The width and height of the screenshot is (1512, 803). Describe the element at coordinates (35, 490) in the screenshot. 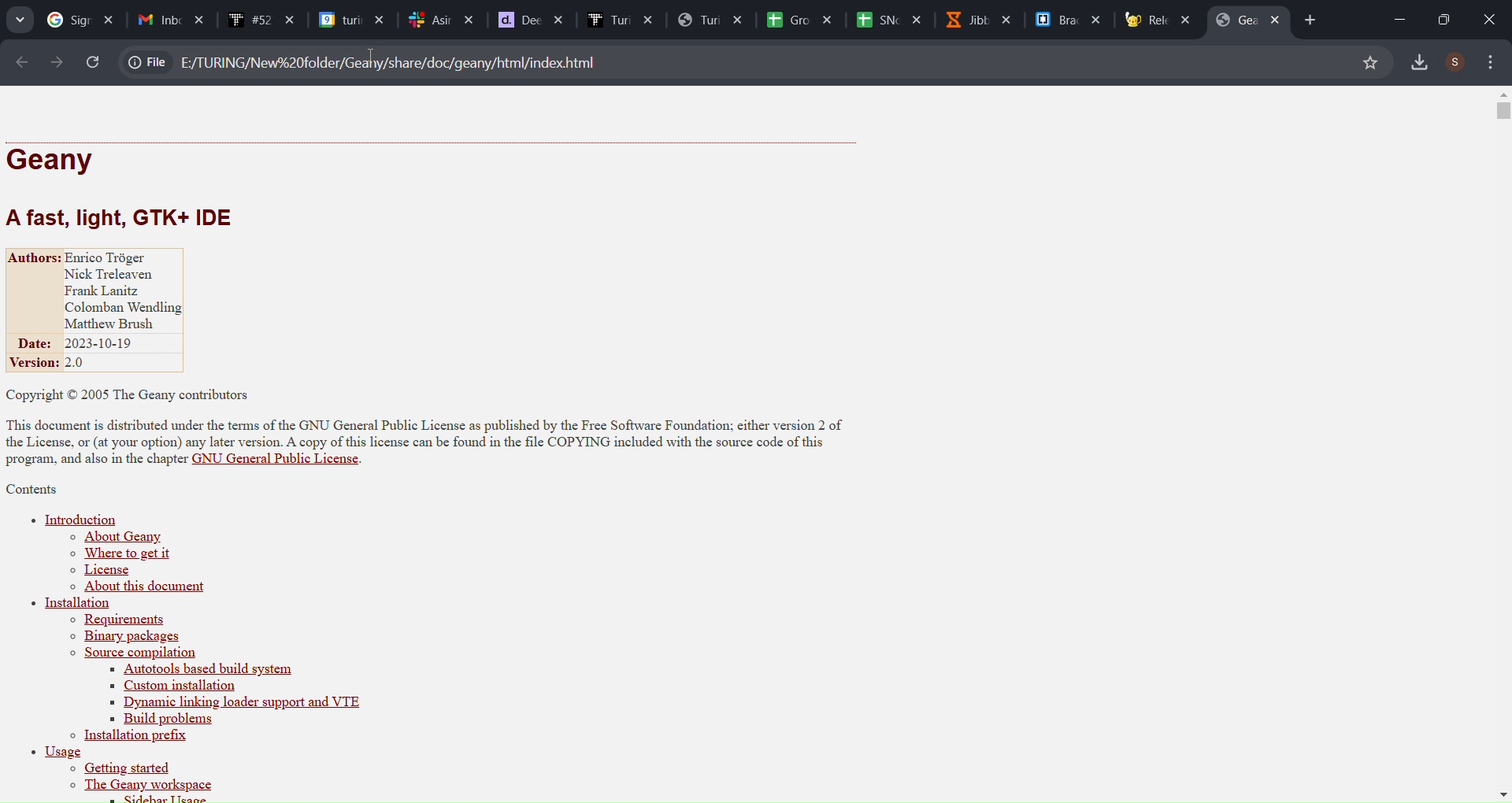

I see `contents` at that location.